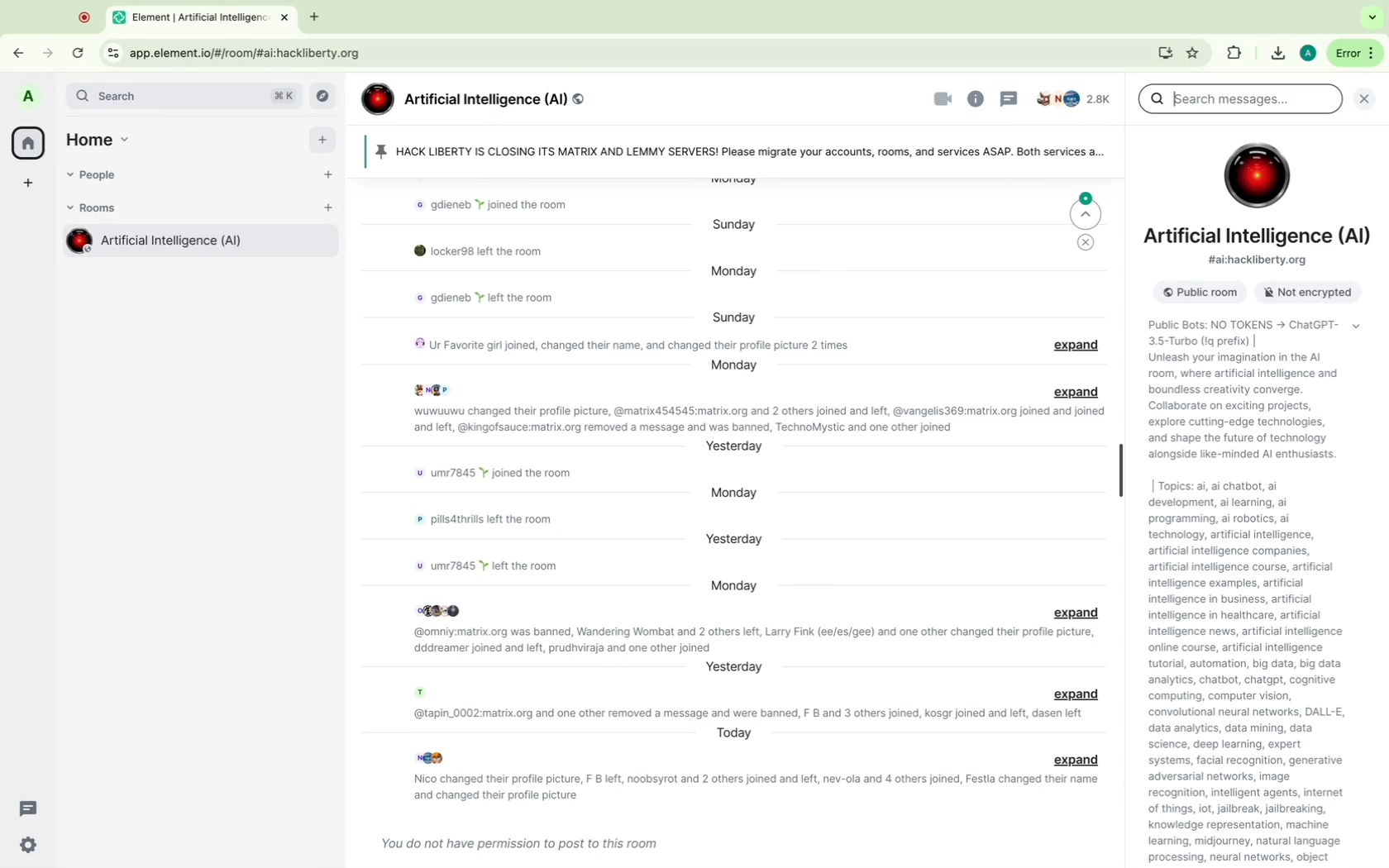  I want to click on home, so click(27, 142).